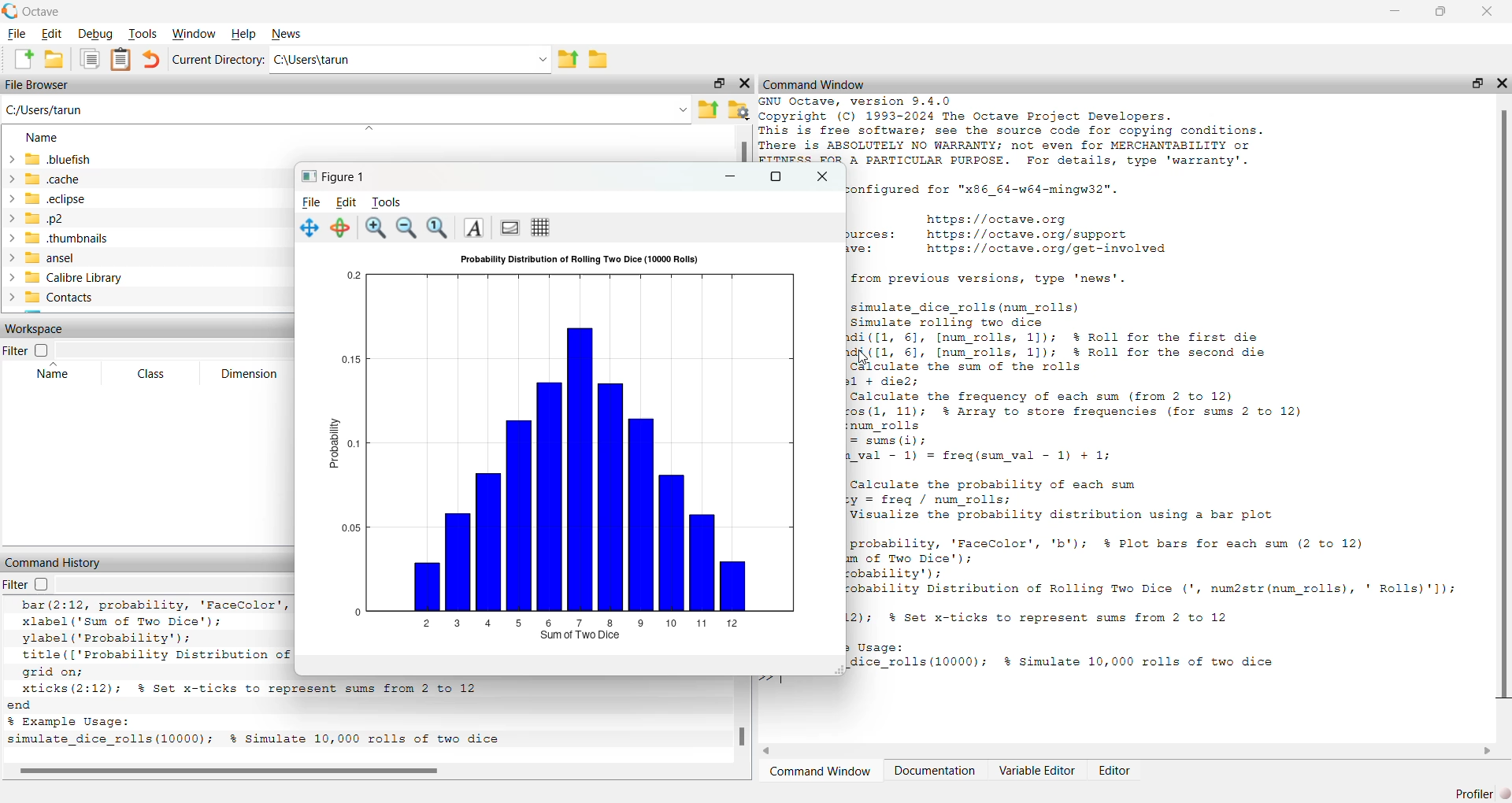 The height and width of the screenshot is (803, 1512). Describe the element at coordinates (1502, 83) in the screenshot. I see `close` at that location.